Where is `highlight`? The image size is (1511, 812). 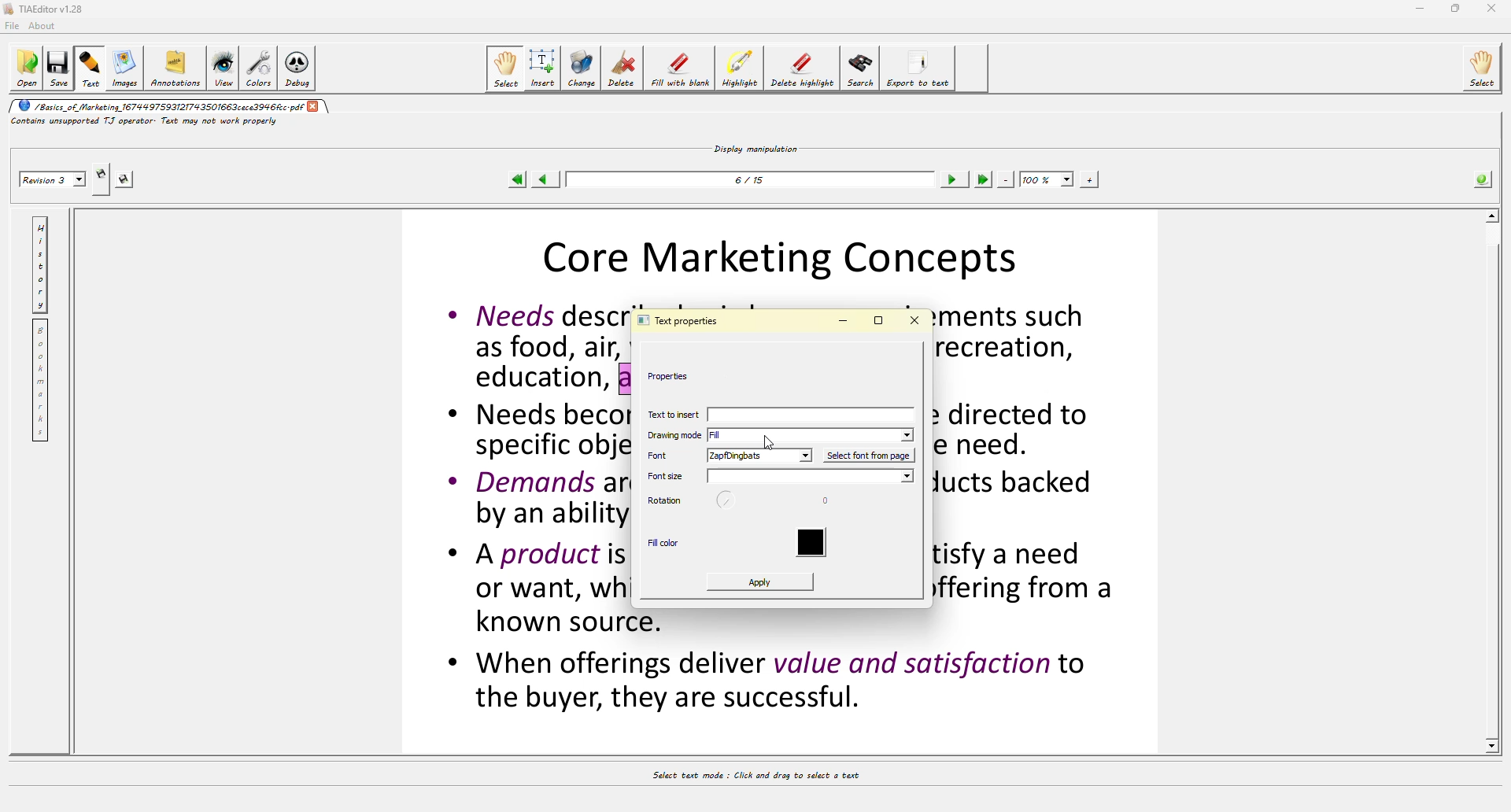 highlight is located at coordinates (740, 71).